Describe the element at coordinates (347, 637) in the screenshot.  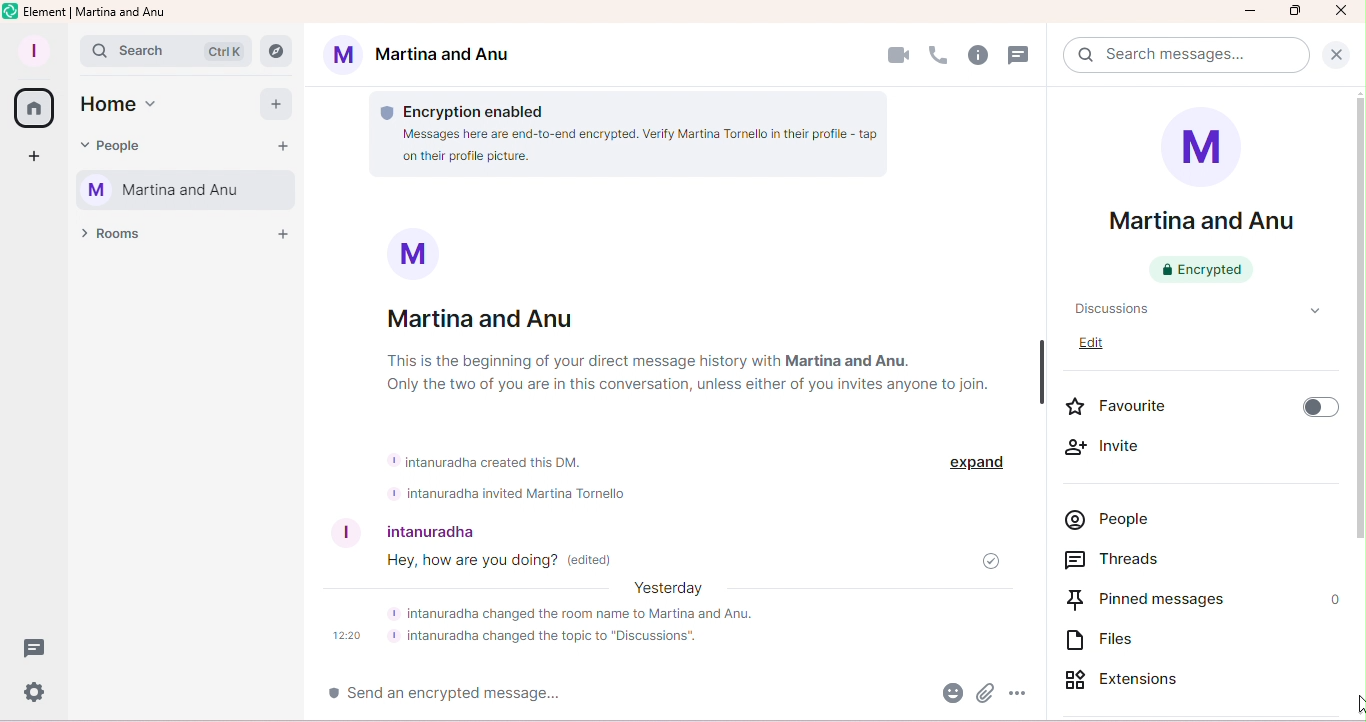
I see `12:20` at that location.